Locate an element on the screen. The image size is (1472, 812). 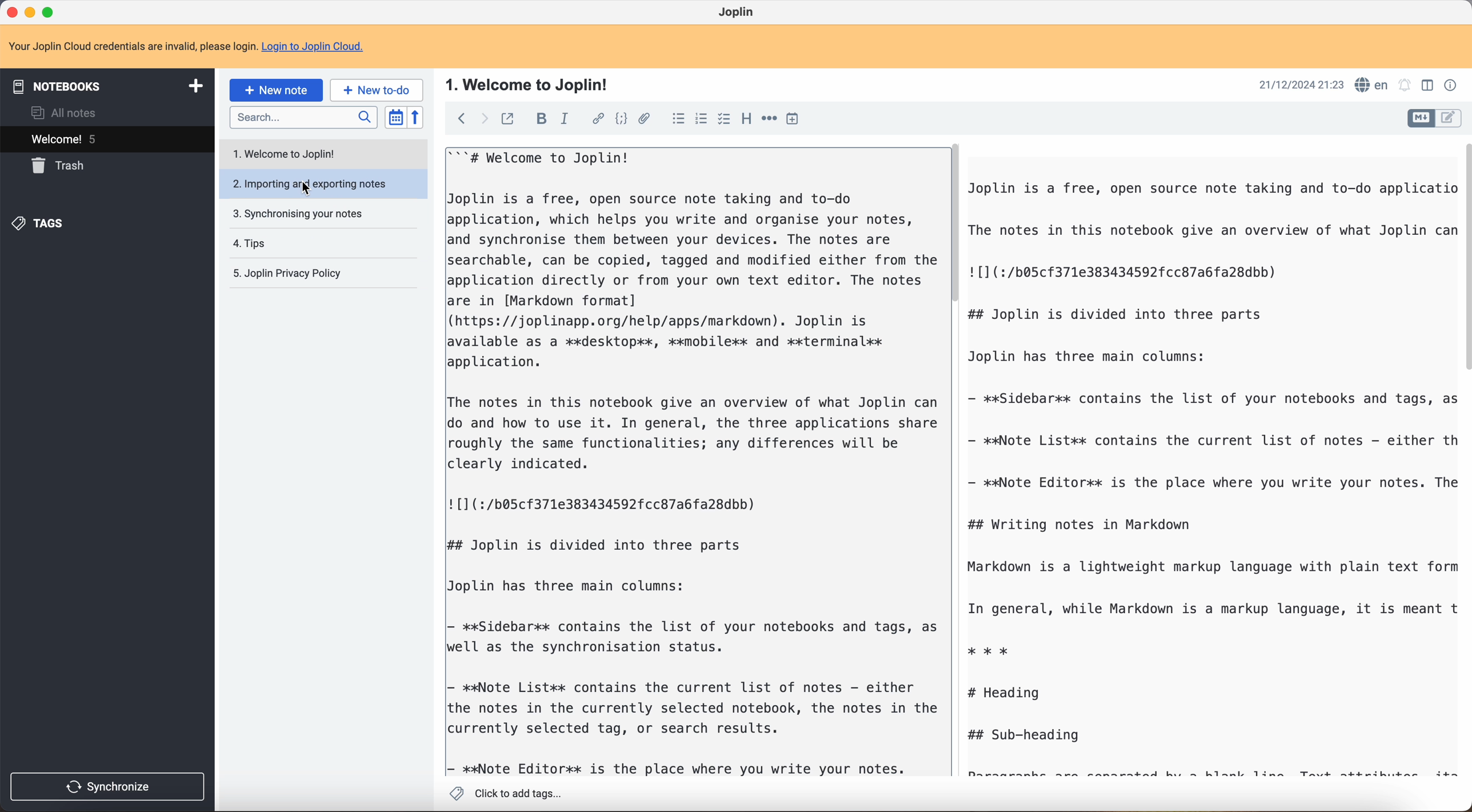
attach file is located at coordinates (644, 118).